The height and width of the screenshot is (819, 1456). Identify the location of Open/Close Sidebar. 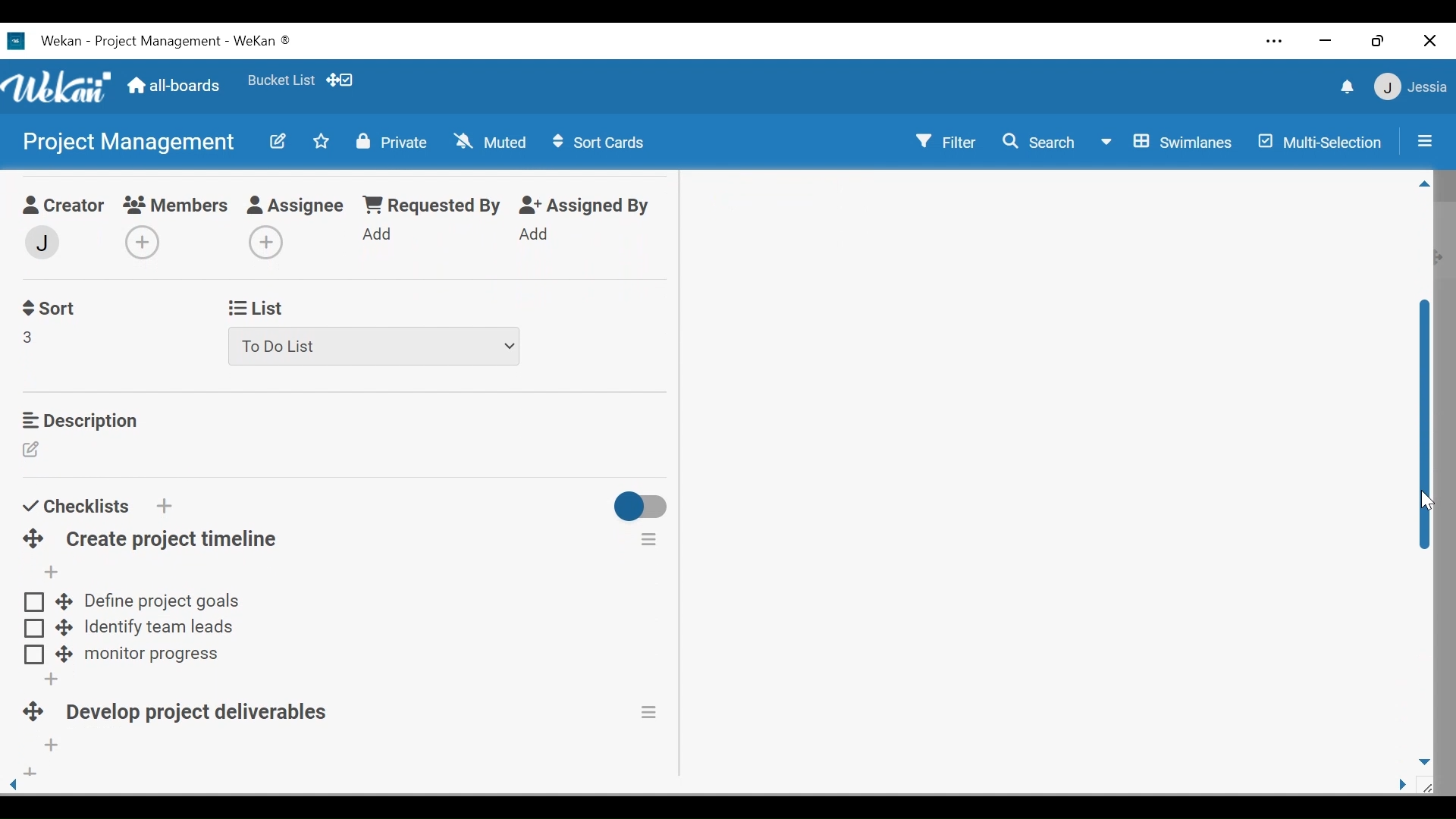
(1423, 140).